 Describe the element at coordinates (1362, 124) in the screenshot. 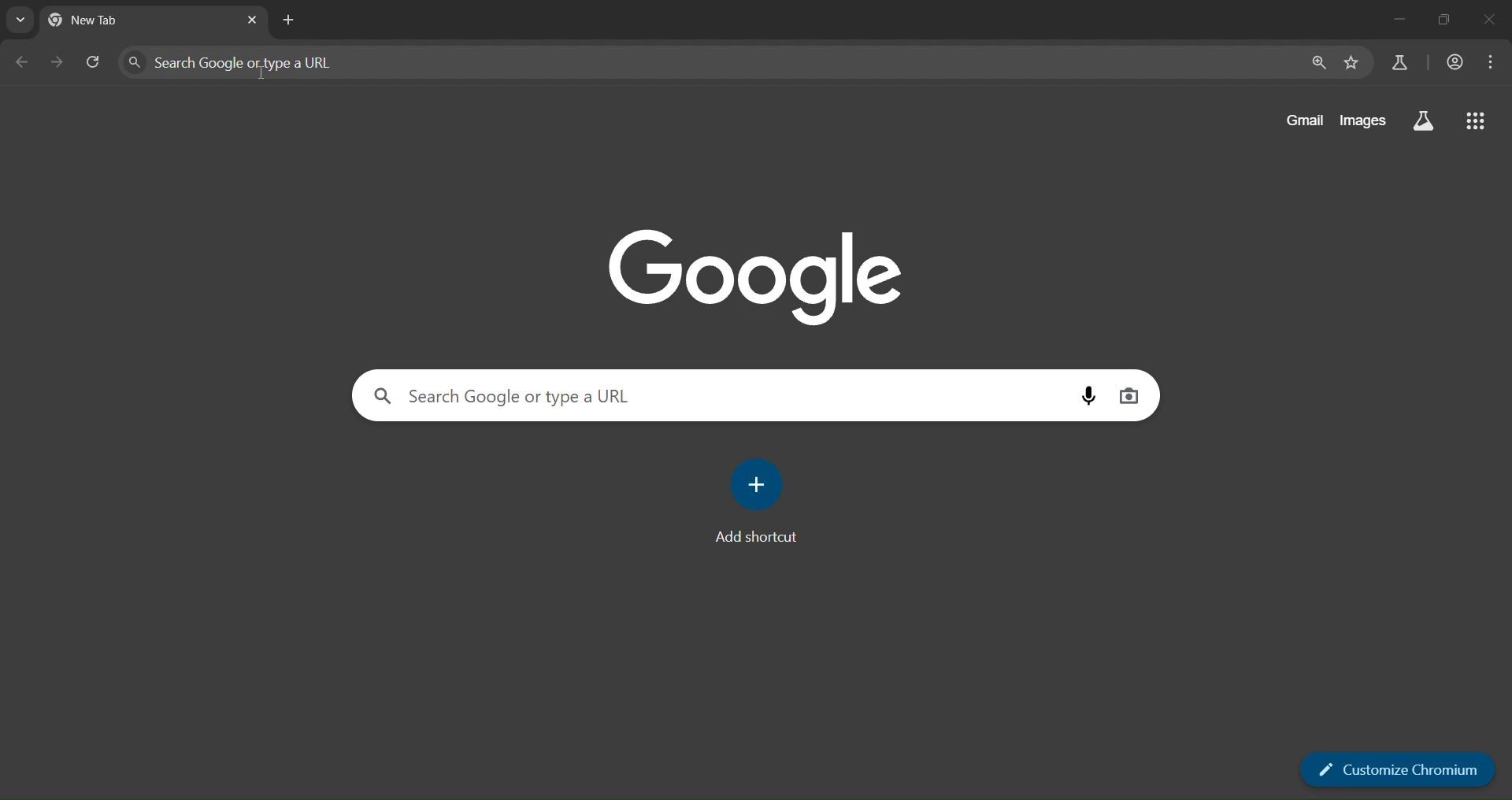

I see `iages` at that location.